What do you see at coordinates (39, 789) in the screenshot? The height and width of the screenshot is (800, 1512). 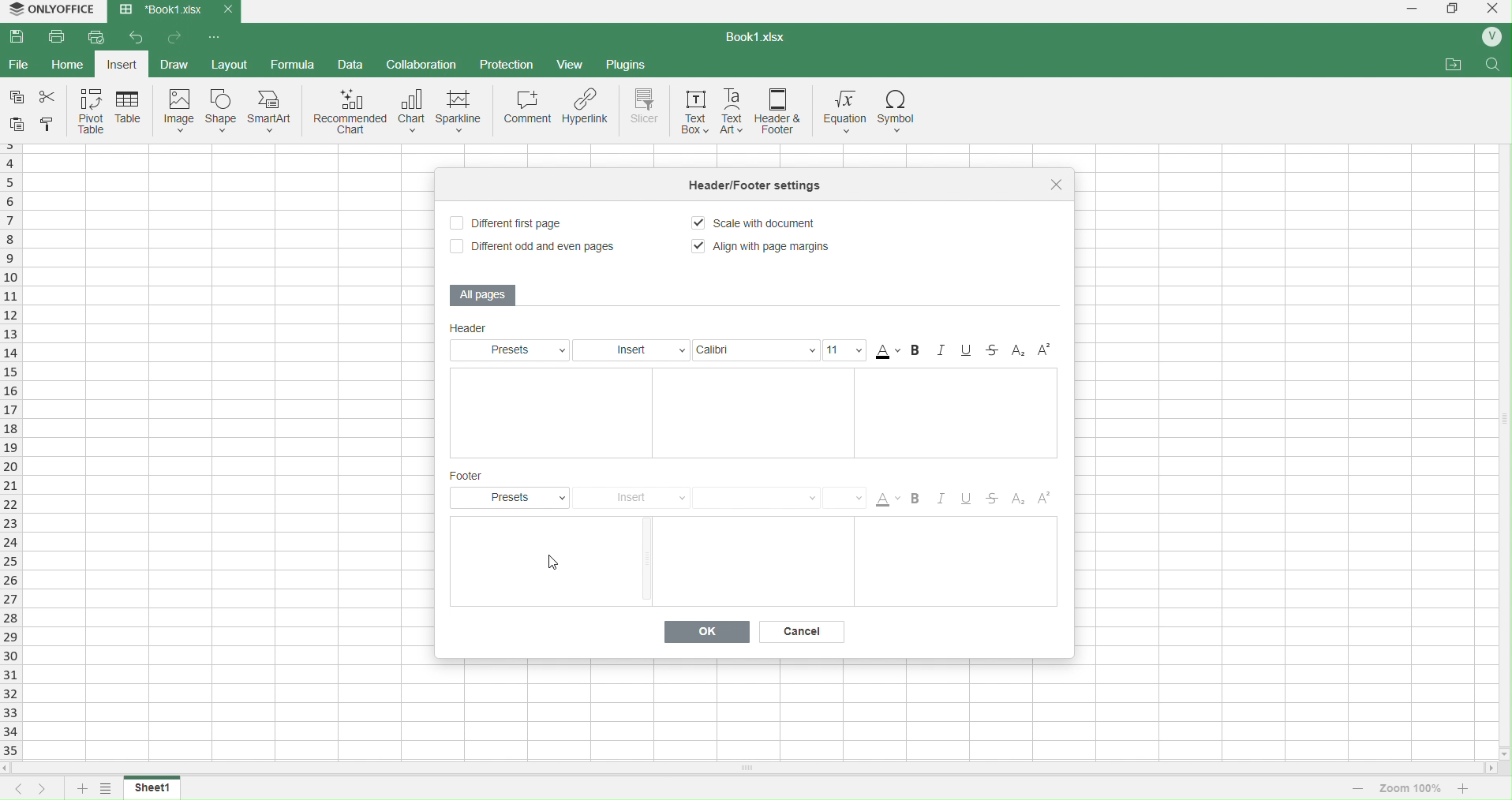 I see `next sheet` at bounding box center [39, 789].